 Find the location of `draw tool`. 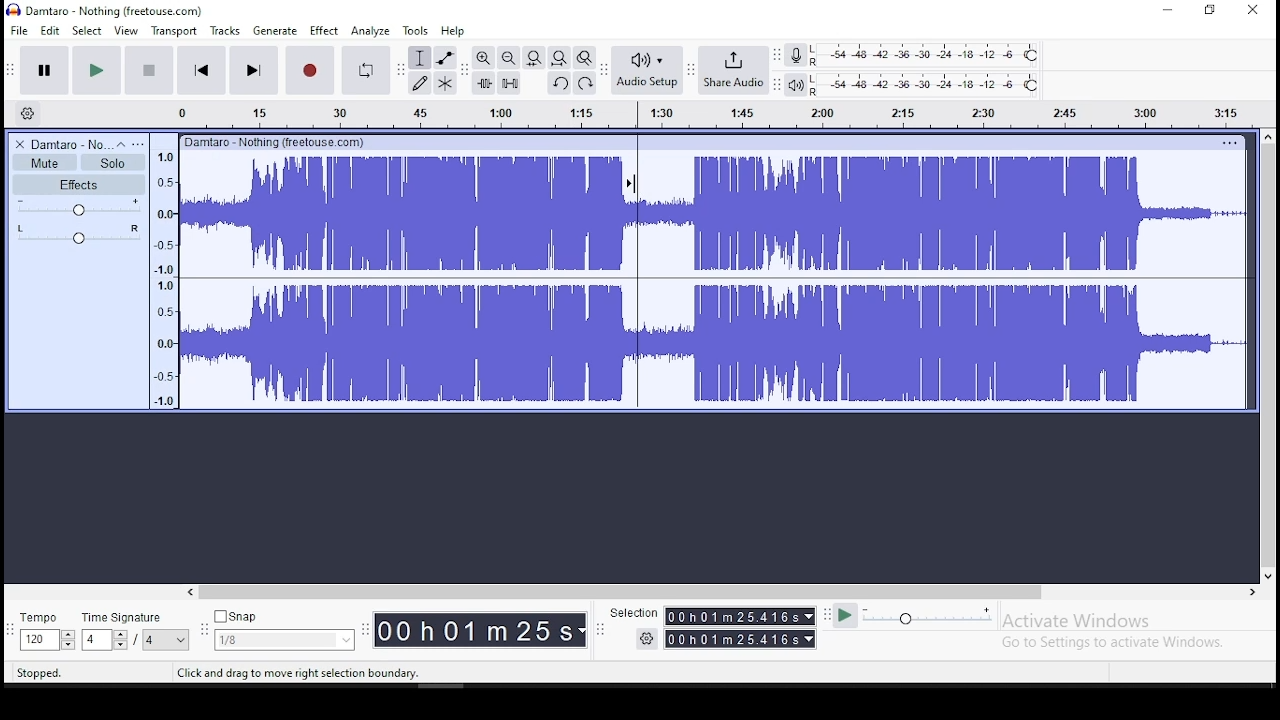

draw tool is located at coordinates (419, 83).